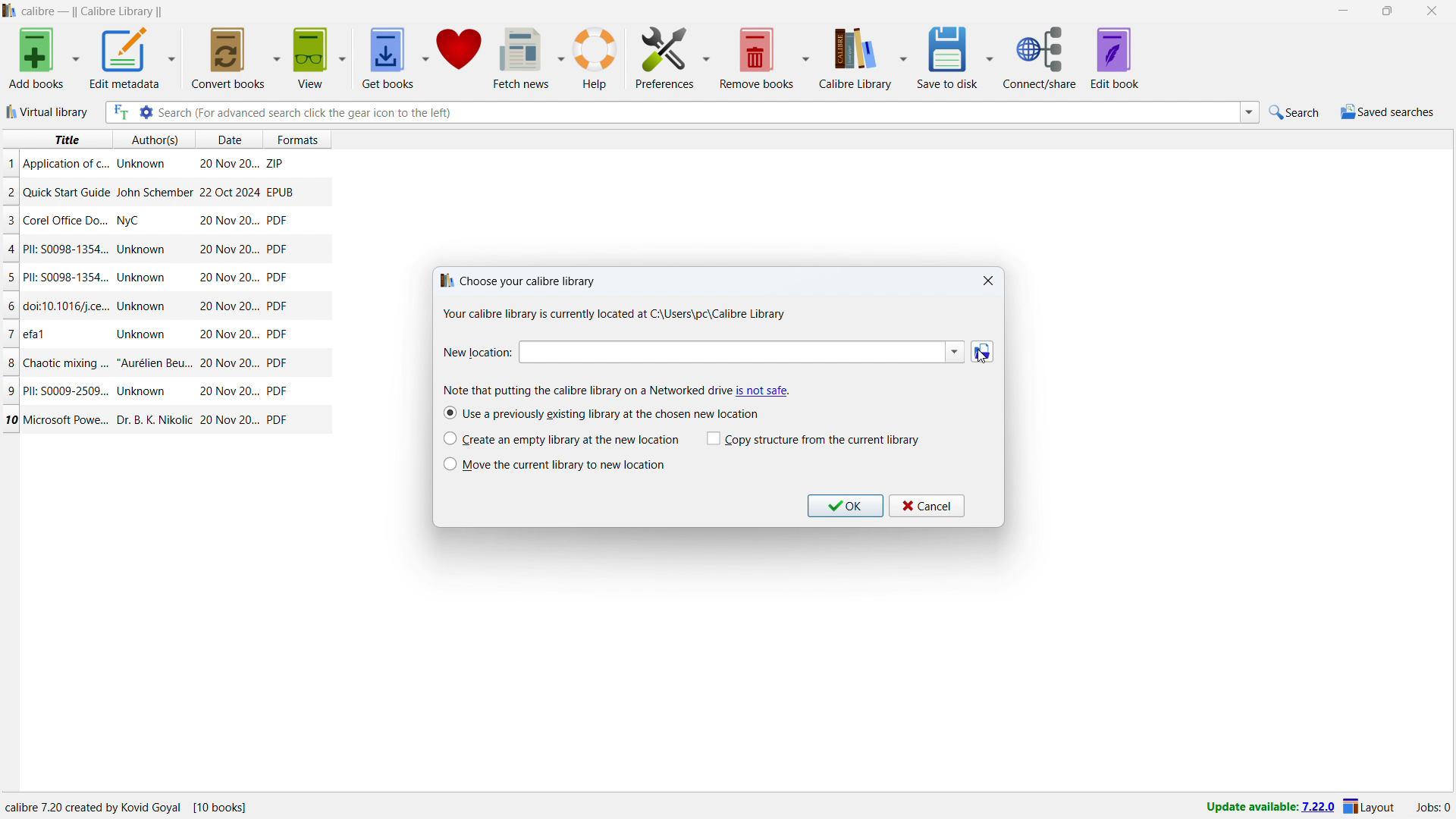 This screenshot has height=819, width=1456. What do you see at coordinates (554, 465) in the screenshot?
I see `move the current library to the new location` at bounding box center [554, 465].